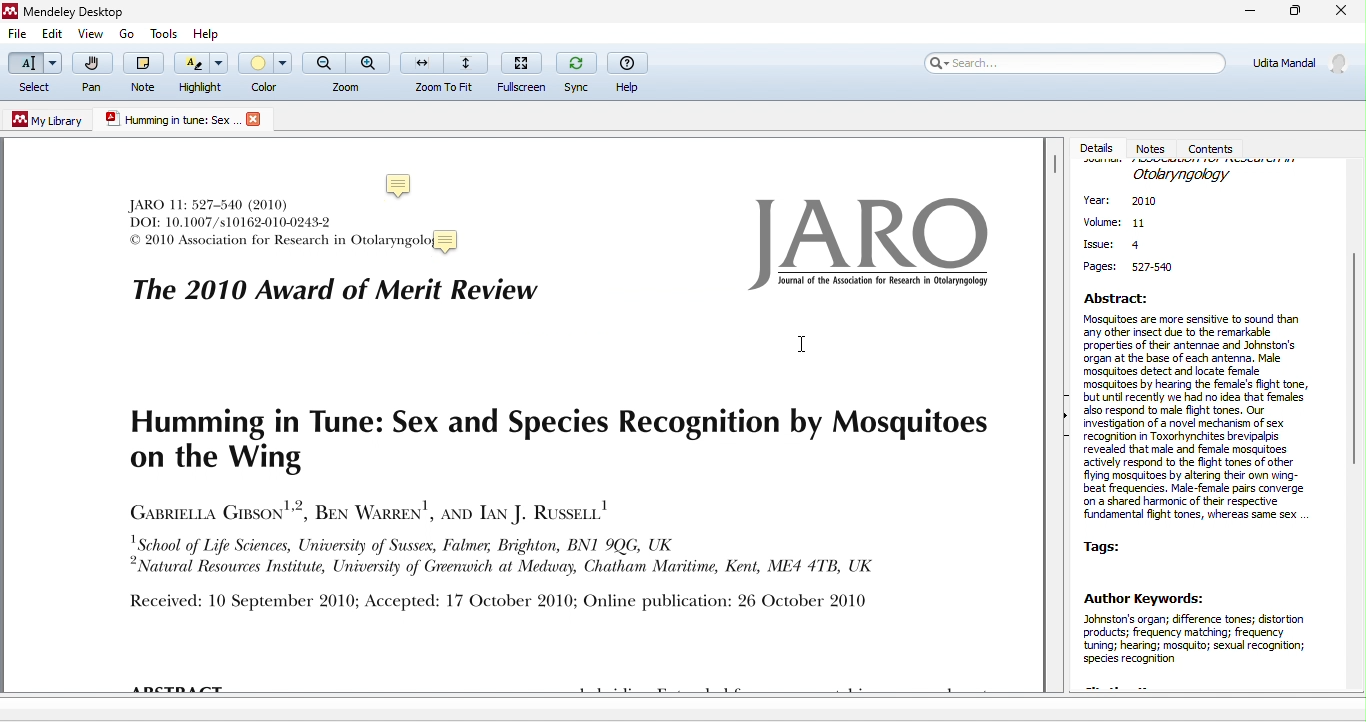 The height and width of the screenshot is (722, 1366). What do you see at coordinates (208, 34) in the screenshot?
I see `help` at bounding box center [208, 34].